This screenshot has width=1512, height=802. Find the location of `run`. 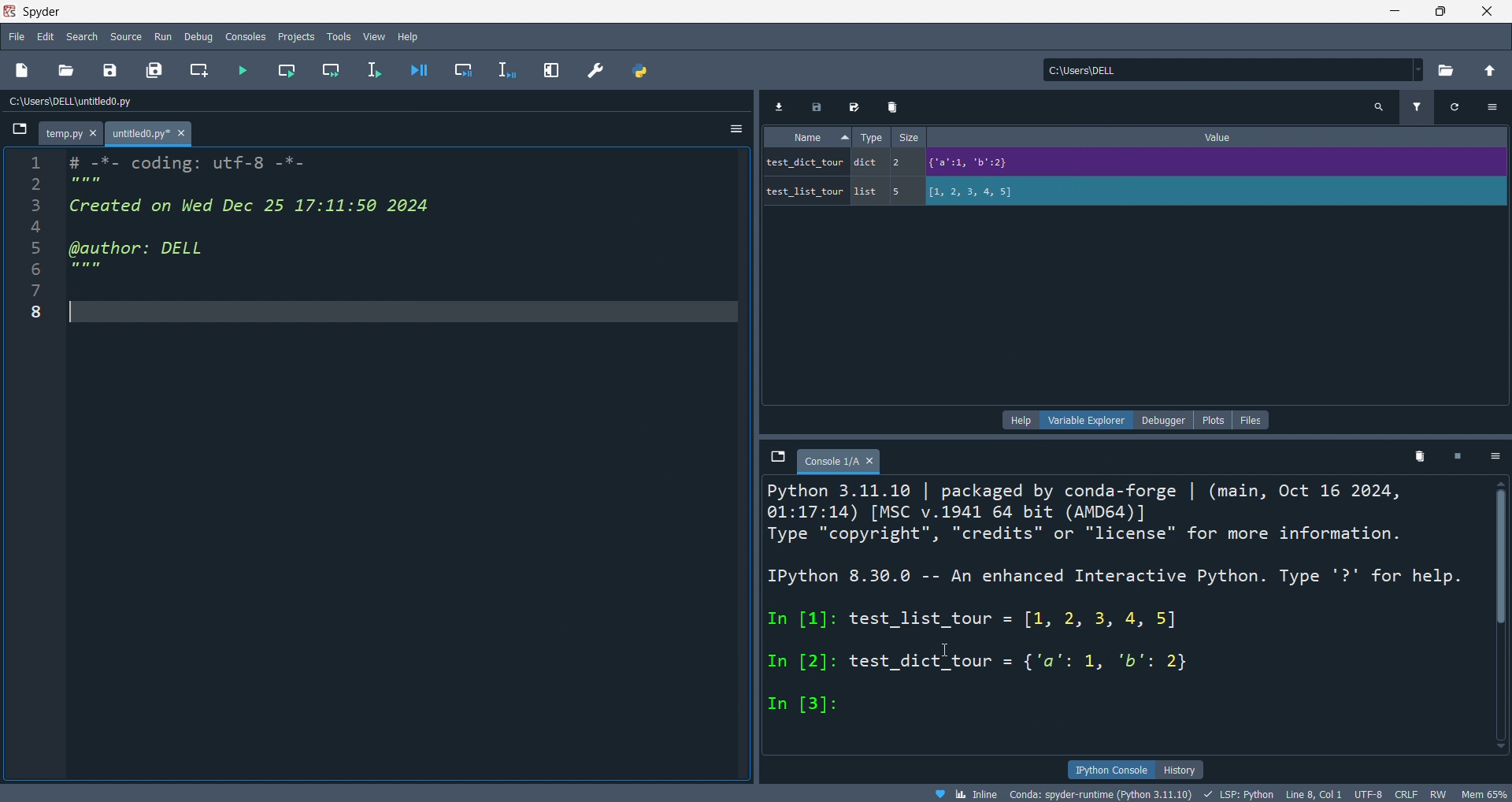

run is located at coordinates (165, 36).